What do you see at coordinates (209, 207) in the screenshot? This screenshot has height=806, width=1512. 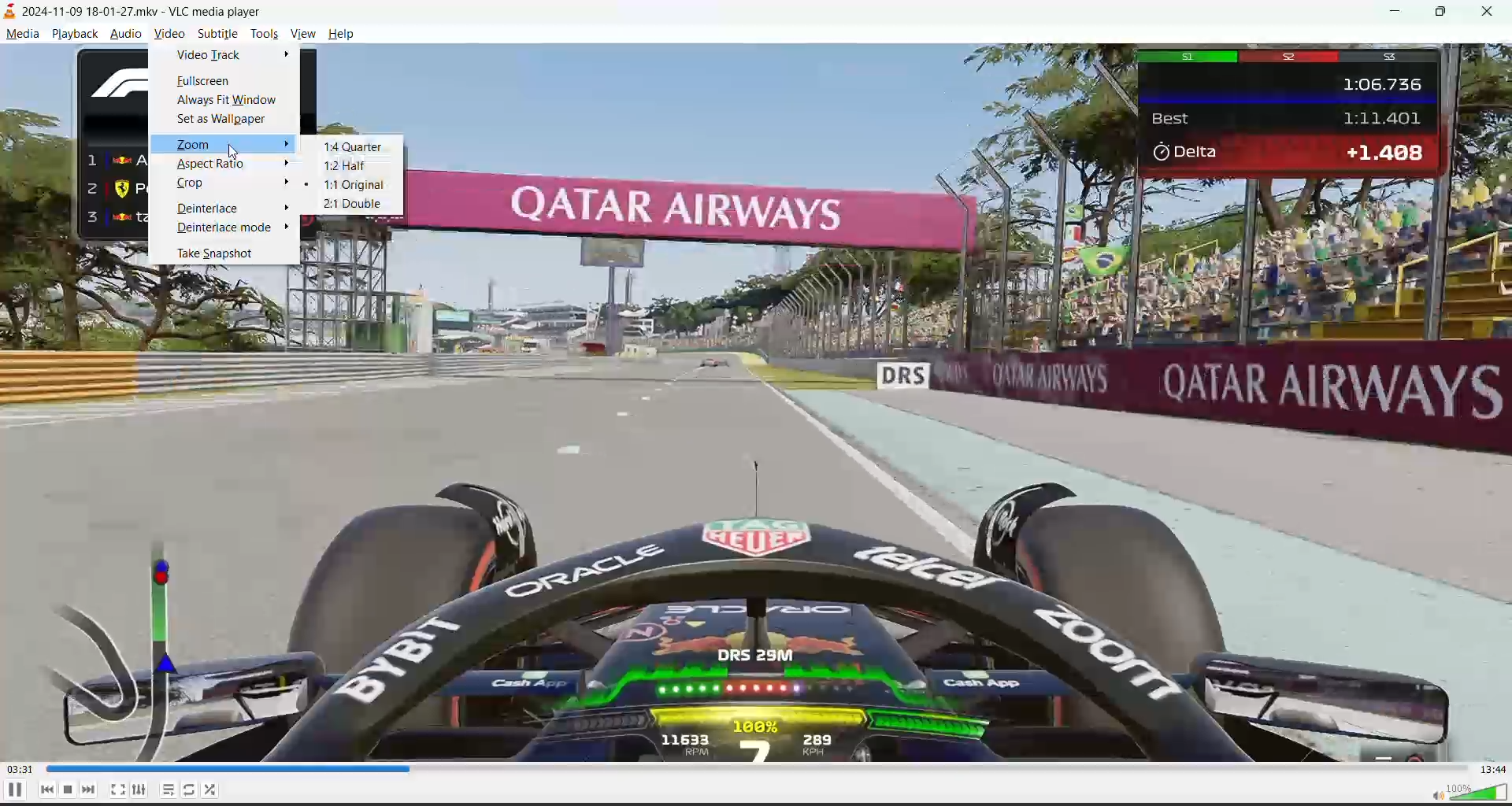 I see `deinterlace` at bounding box center [209, 207].